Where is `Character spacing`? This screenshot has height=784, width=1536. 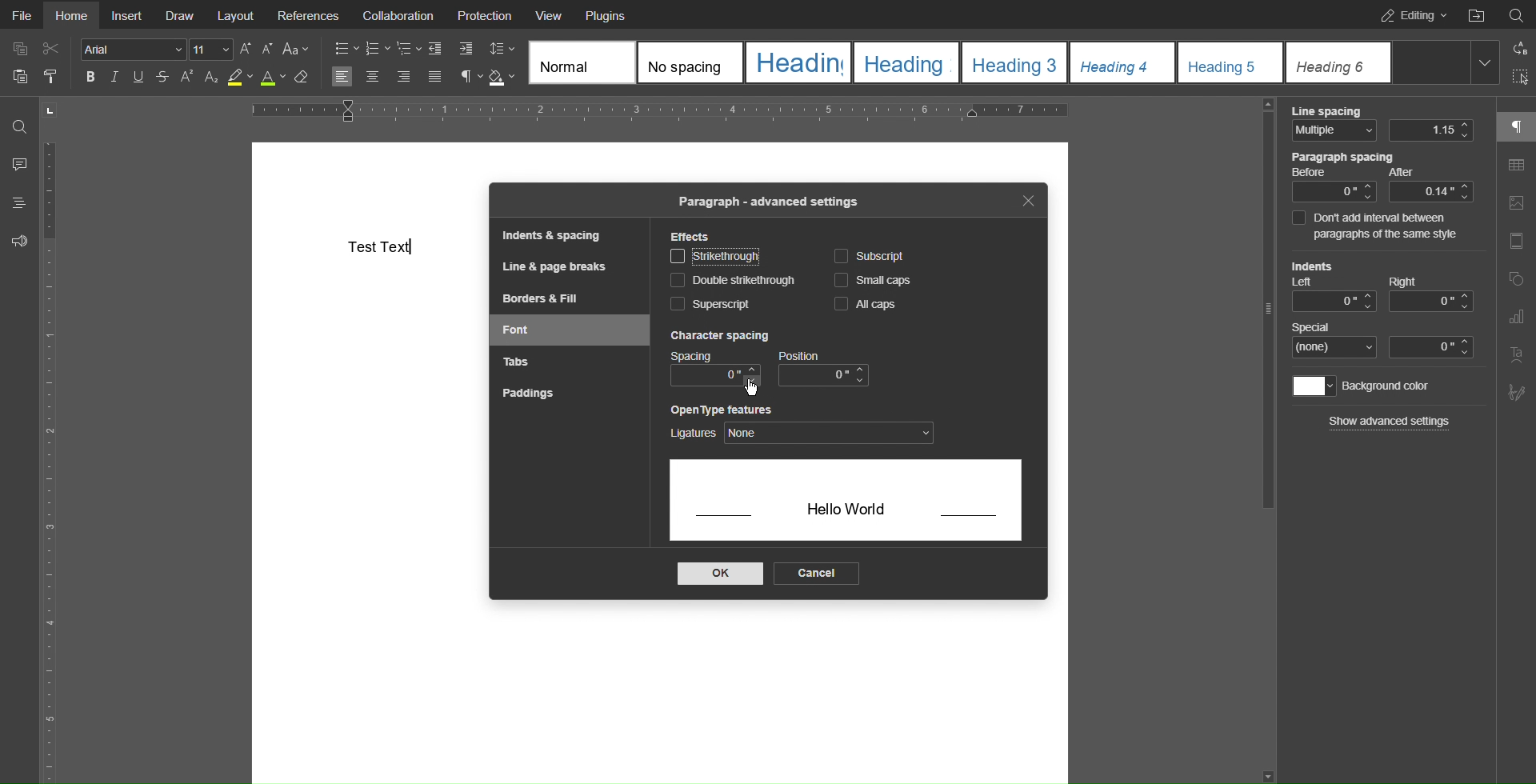 Character spacing is located at coordinates (718, 336).